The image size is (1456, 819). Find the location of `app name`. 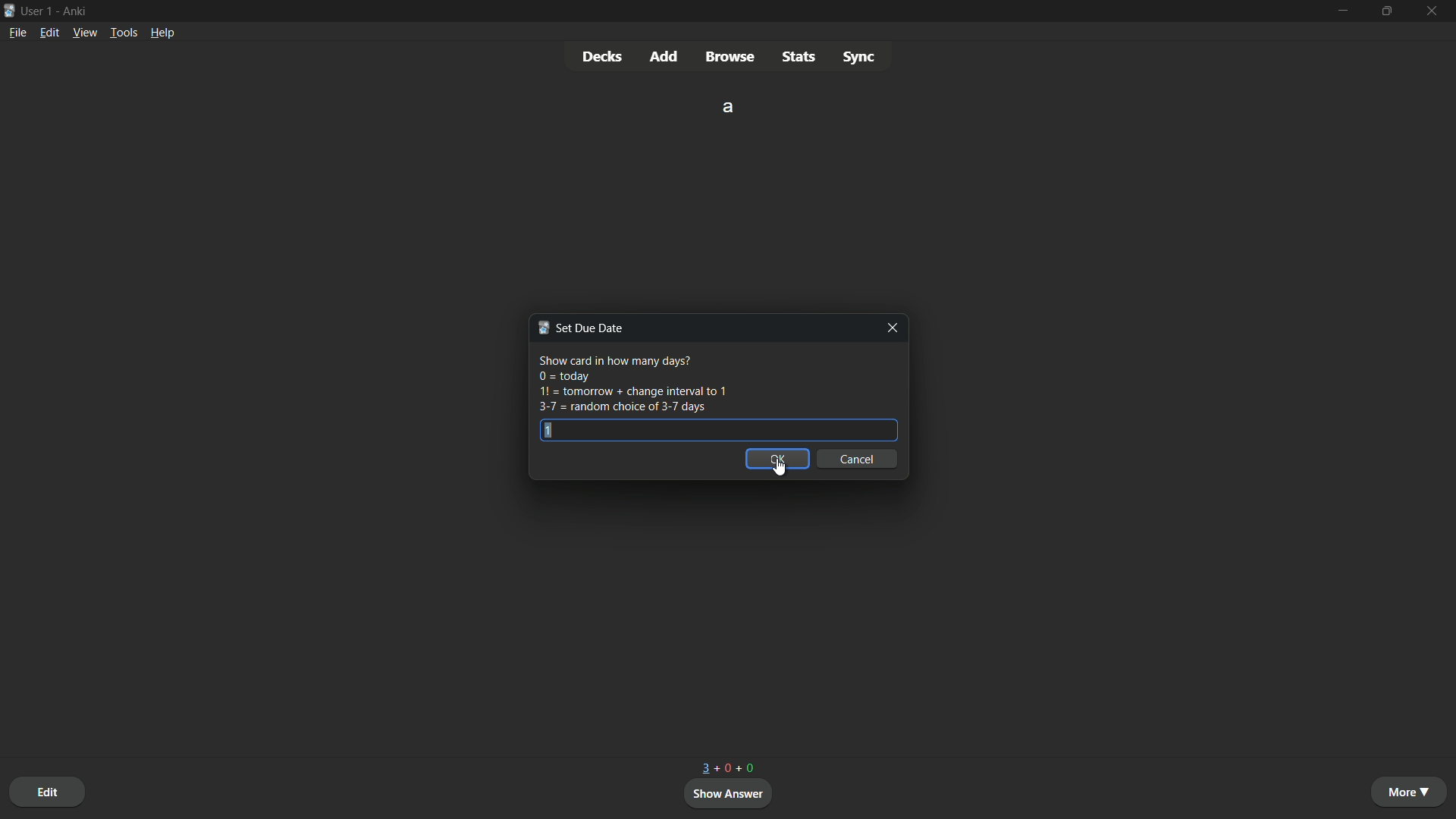

app name is located at coordinates (76, 12).